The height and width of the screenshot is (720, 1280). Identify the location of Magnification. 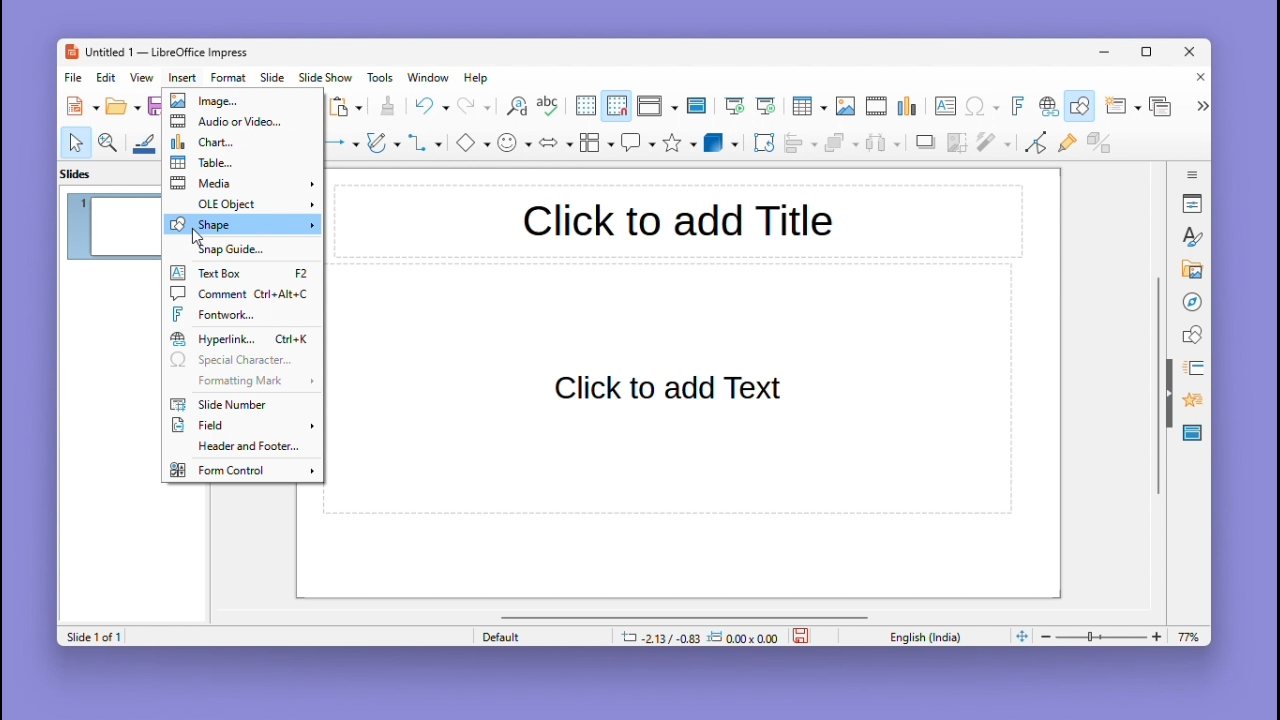
(109, 141).